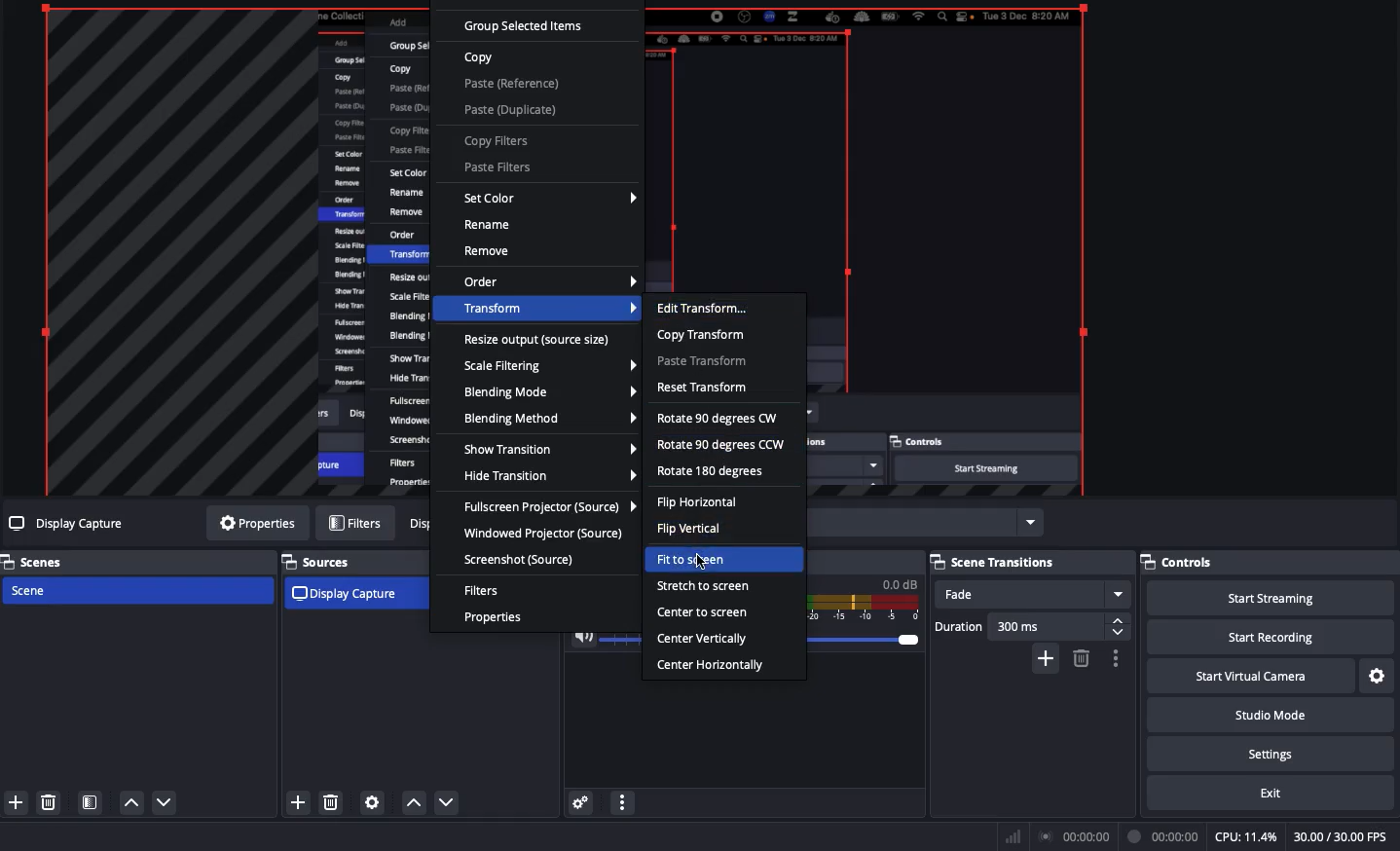 This screenshot has width=1400, height=851. I want to click on Recording, so click(1164, 834).